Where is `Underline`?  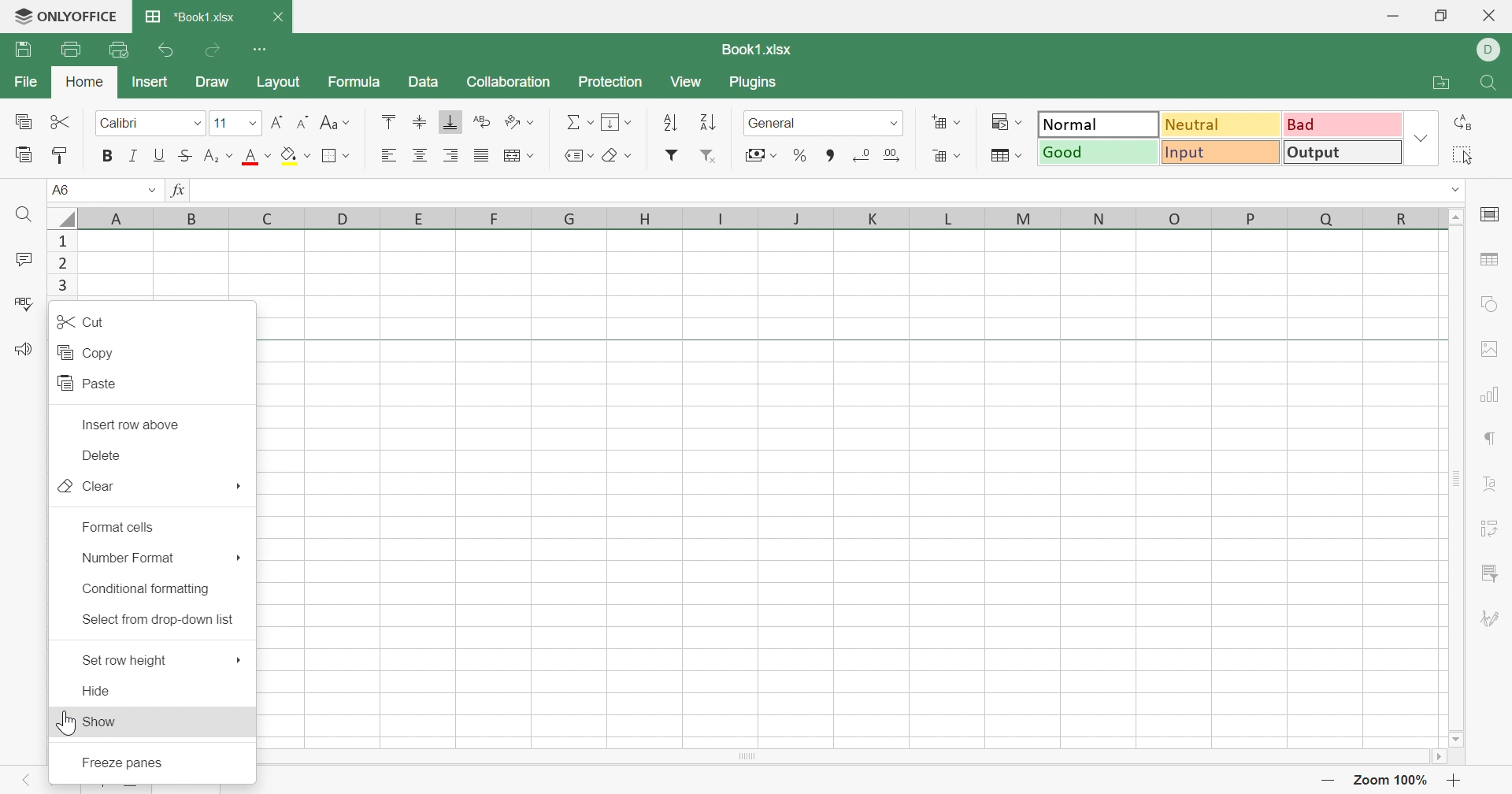 Underline is located at coordinates (160, 156).